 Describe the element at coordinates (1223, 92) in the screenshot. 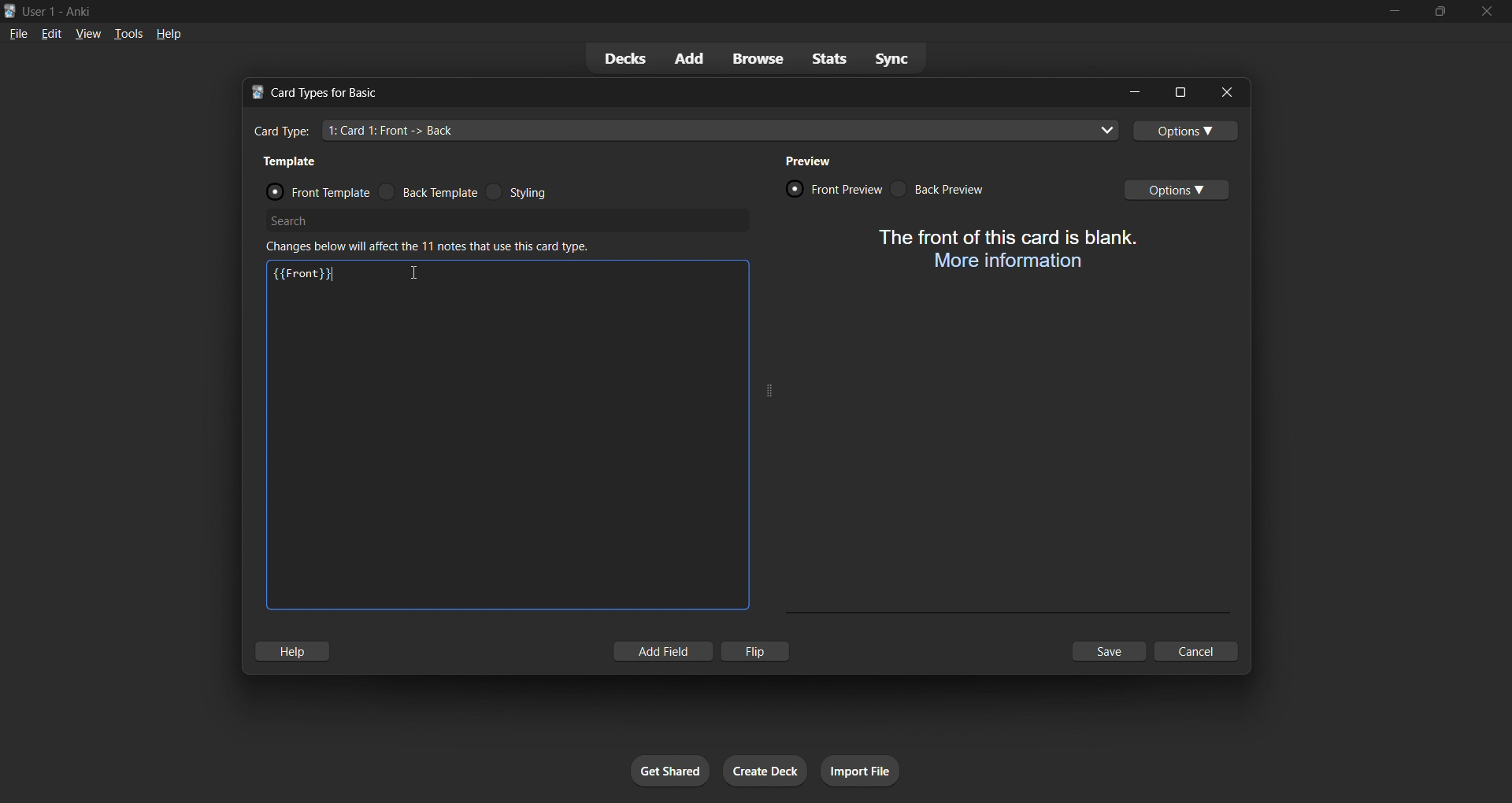

I see `close` at that location.